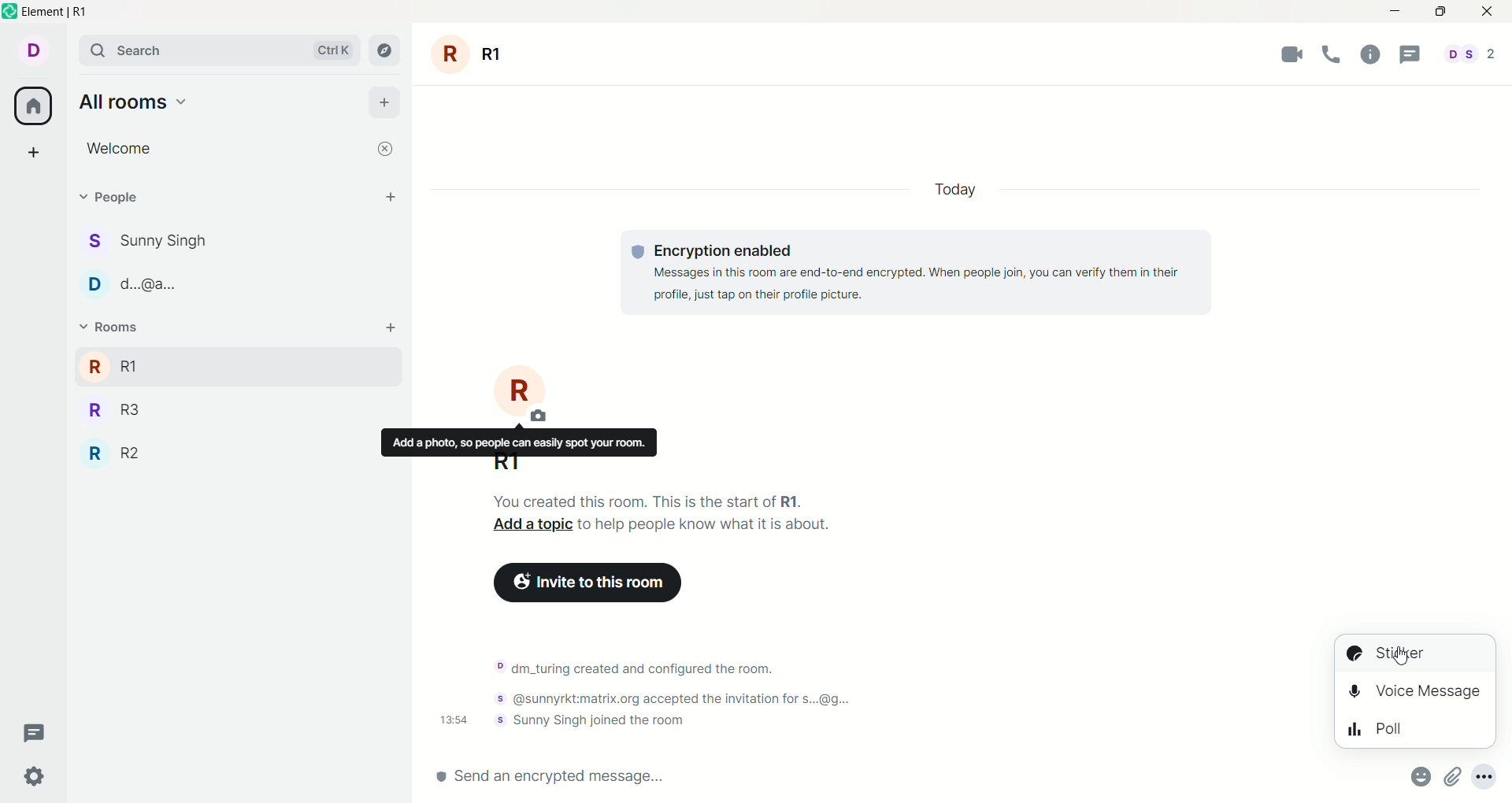  Describe the element at coordinates (929, 272) in the screenshot. I see `text` at that location.